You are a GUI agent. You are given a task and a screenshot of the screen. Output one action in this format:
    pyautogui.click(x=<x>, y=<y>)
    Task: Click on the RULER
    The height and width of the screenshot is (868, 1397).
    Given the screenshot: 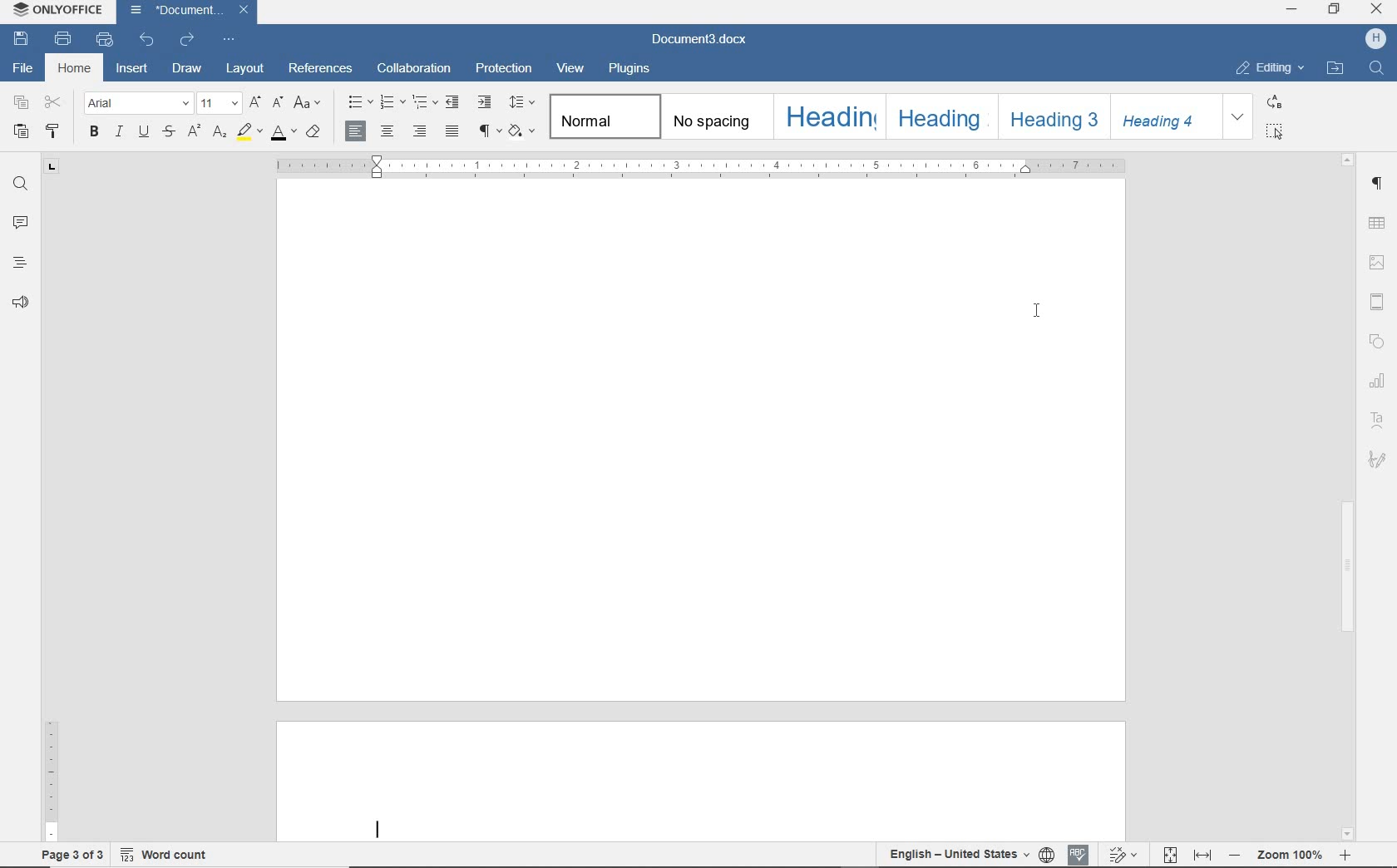 What is the action you would take?
    pyautogui.click(x=51, y=520)
    